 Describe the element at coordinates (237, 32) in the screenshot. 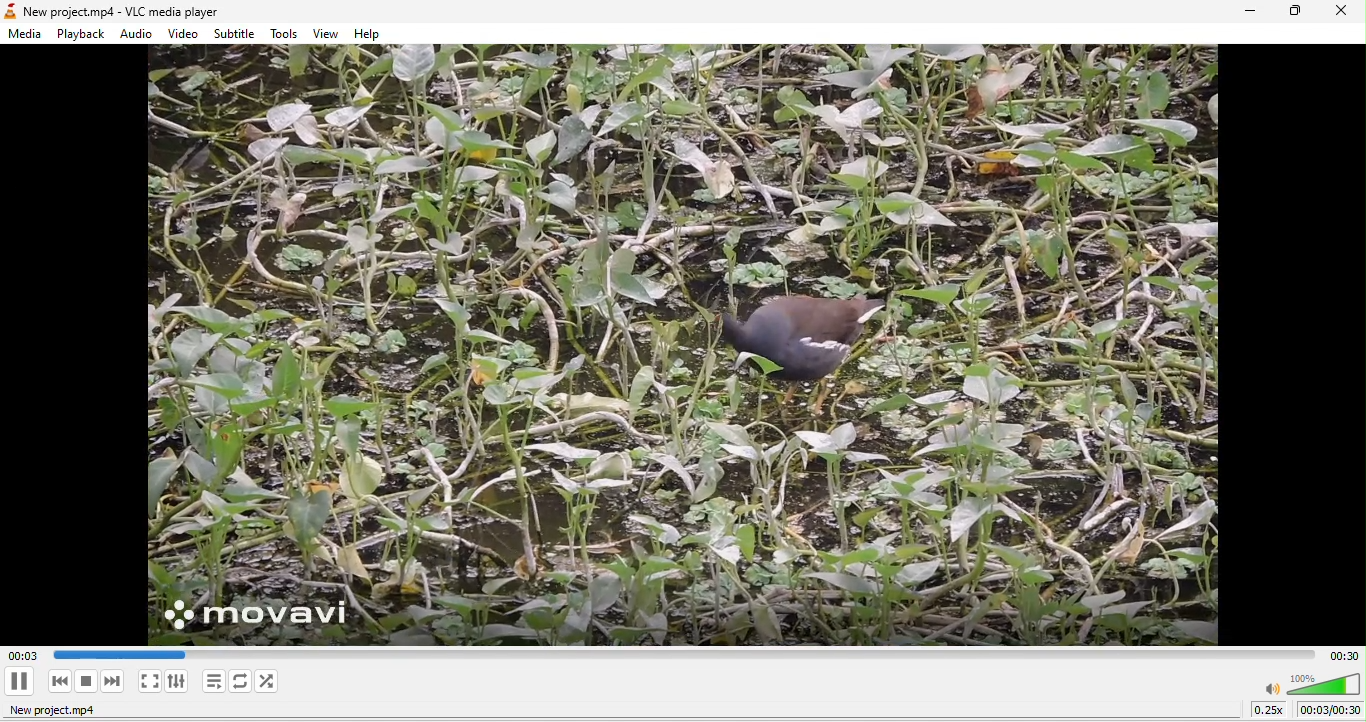

I see `subtitle` at that location.